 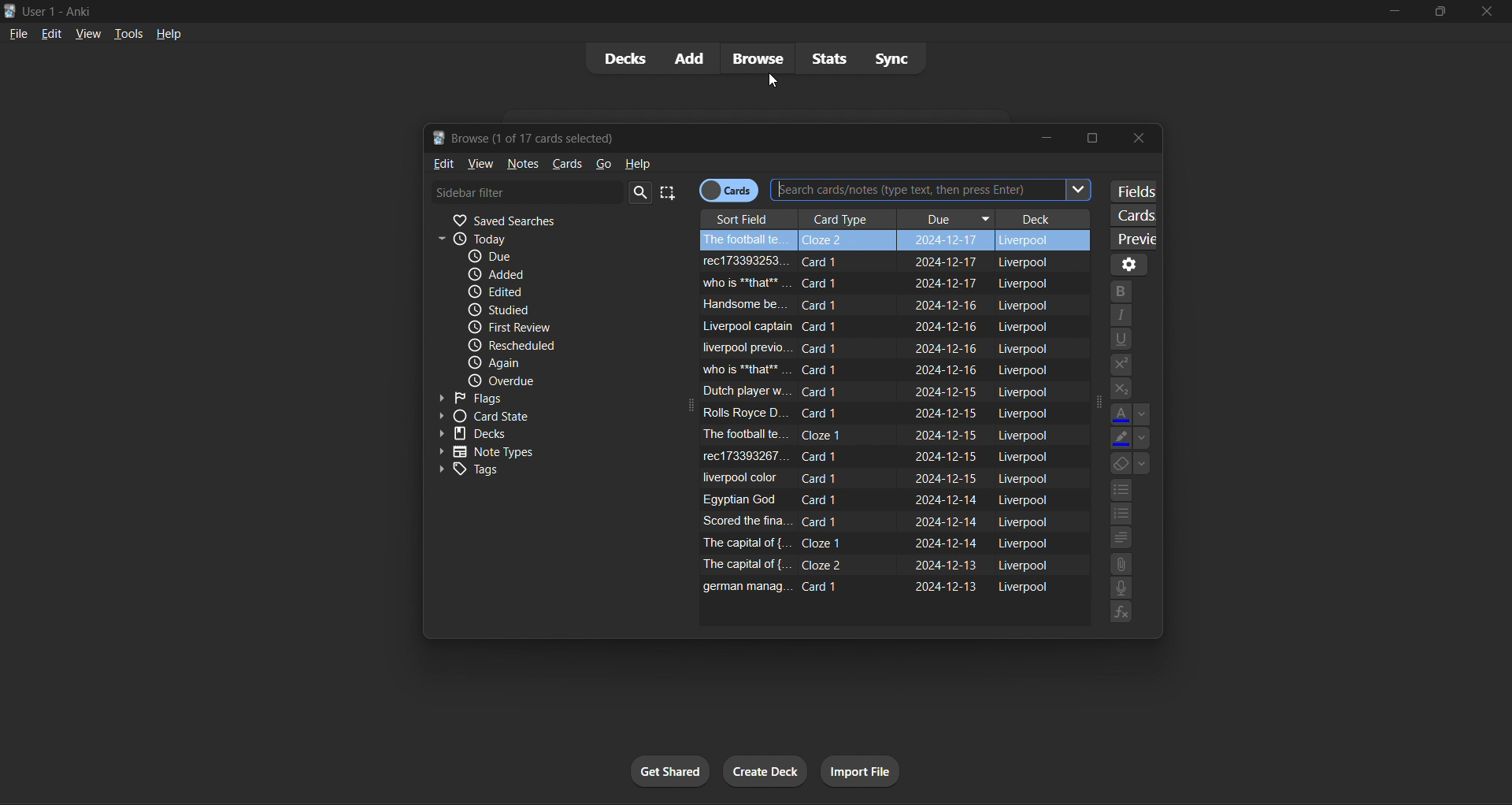 I want to click on options, so click(x=1143, y=465).